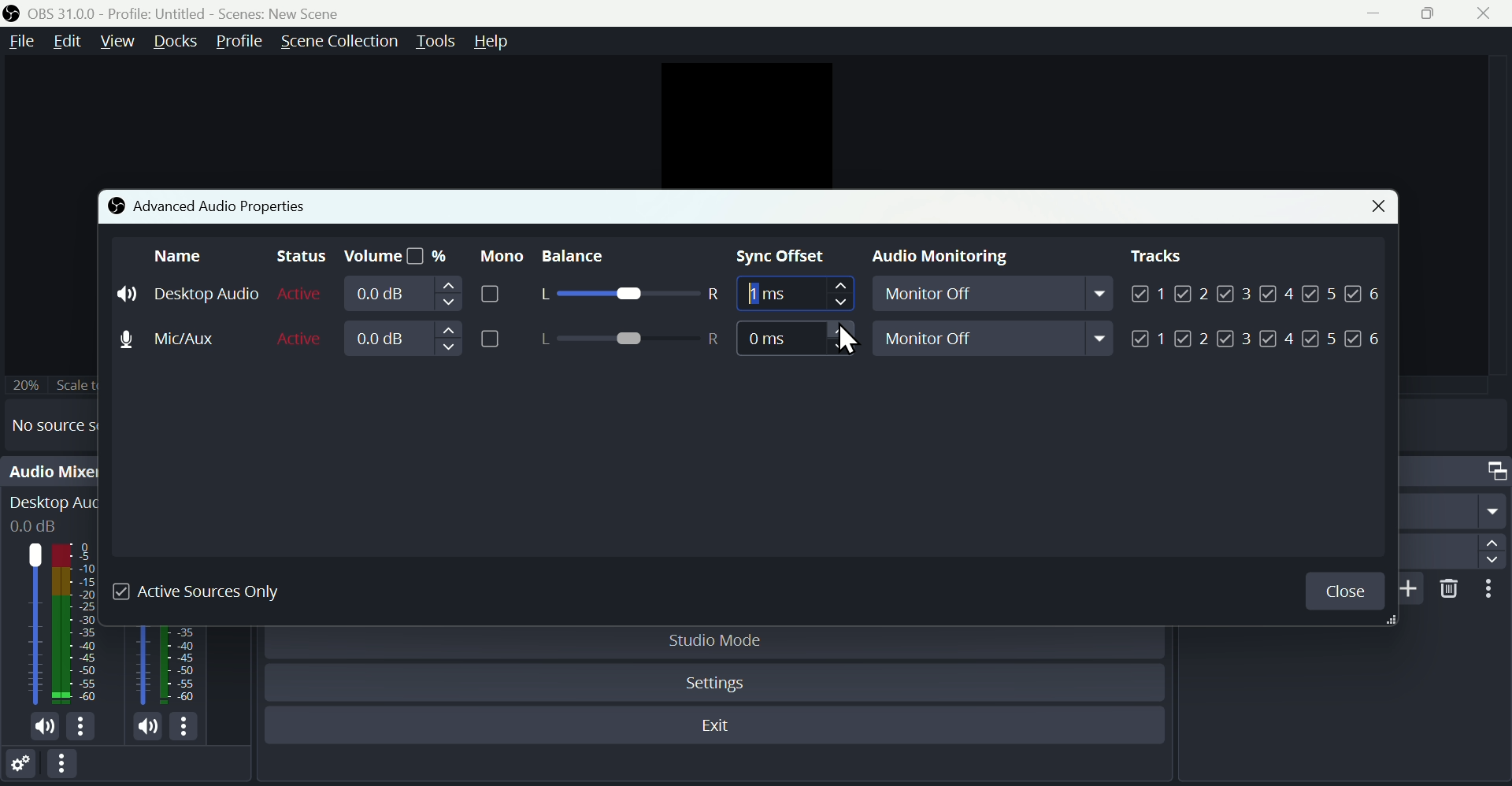 The image size is (1512, 786). Describe the element at coordinates (1380, 13) in the screenshot. I see `minimise` at that location.